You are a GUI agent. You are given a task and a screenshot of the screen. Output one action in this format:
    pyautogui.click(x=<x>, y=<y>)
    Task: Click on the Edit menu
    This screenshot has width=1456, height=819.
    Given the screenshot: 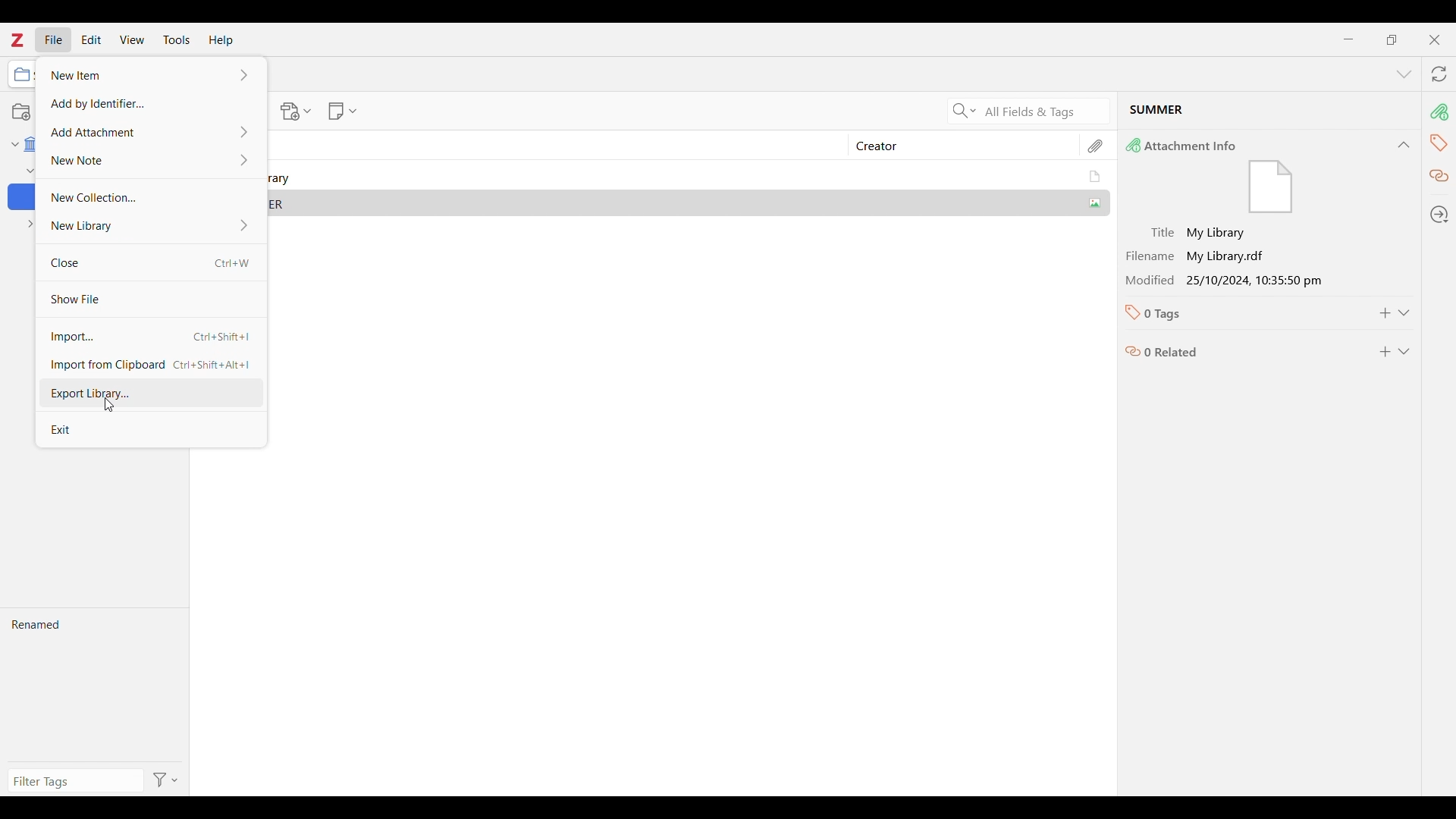 What is the action you would take?
    pyautogui.click(x=91, y=39)
    